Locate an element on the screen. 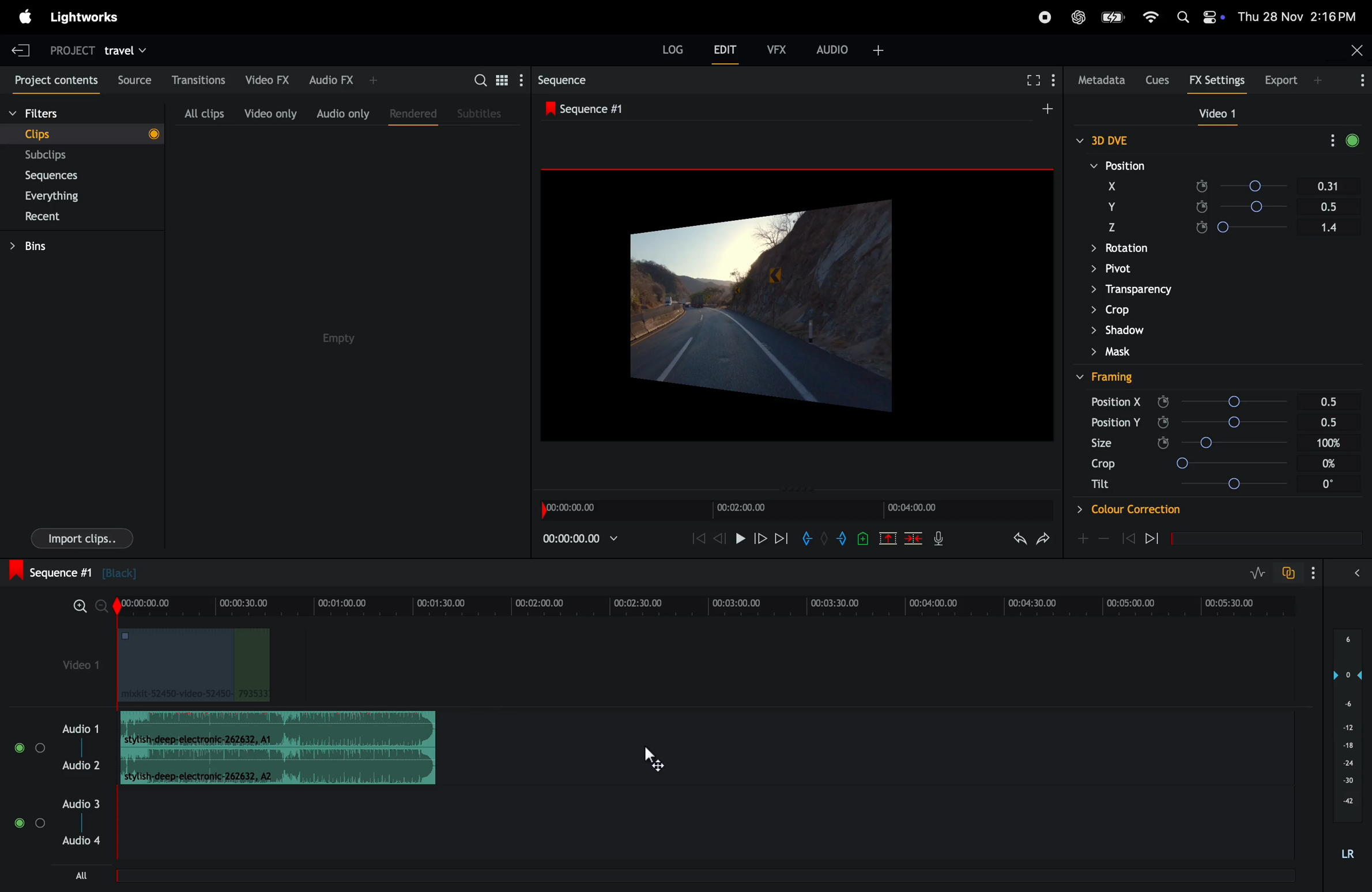 This screenshot has width=1372, height=892.  is located at coordinates (1107, 377).